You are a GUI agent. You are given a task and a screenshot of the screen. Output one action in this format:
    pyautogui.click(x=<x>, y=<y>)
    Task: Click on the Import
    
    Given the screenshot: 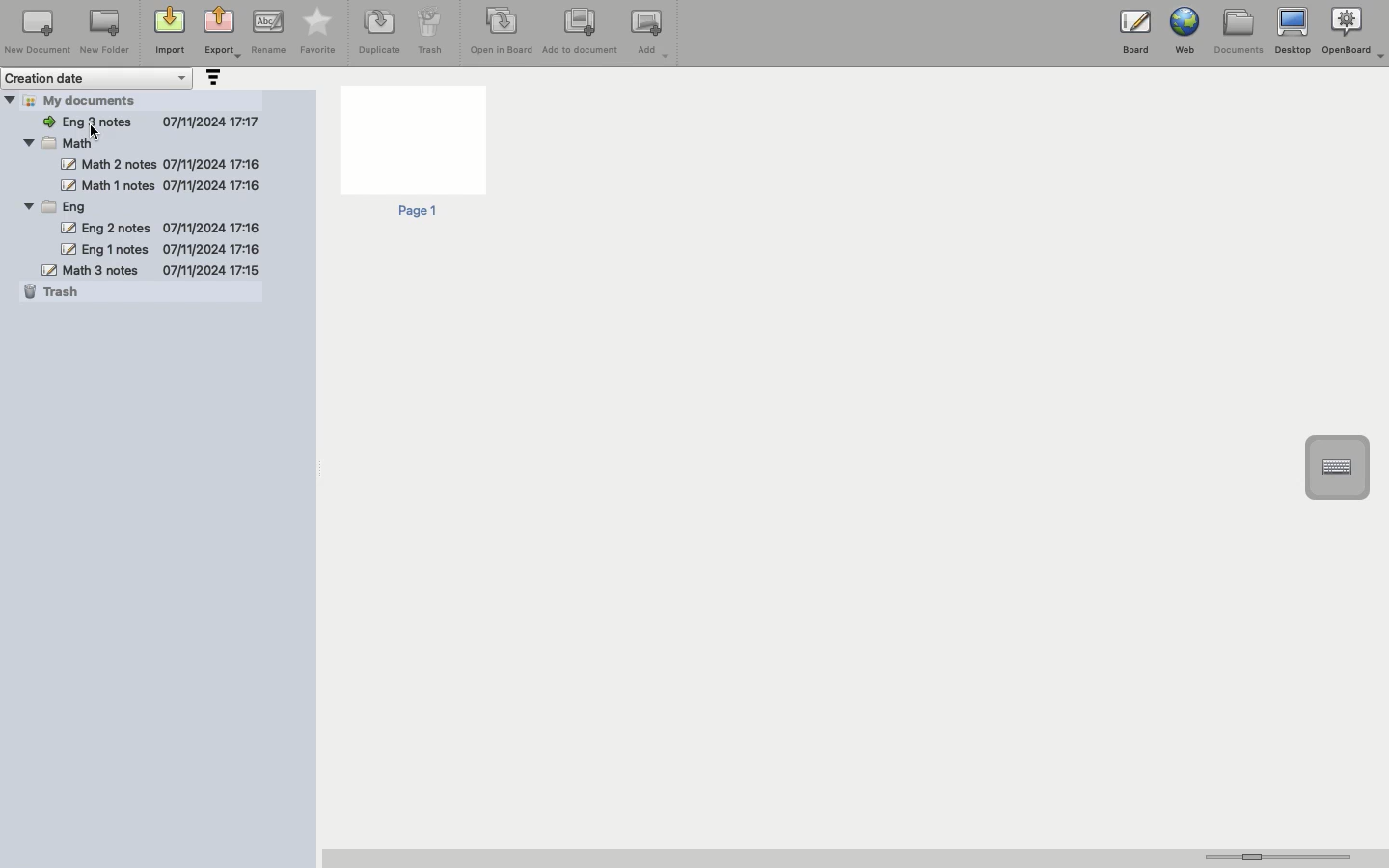 What is the action you would take?
    pyautogui.click(x=168, y=32)
    